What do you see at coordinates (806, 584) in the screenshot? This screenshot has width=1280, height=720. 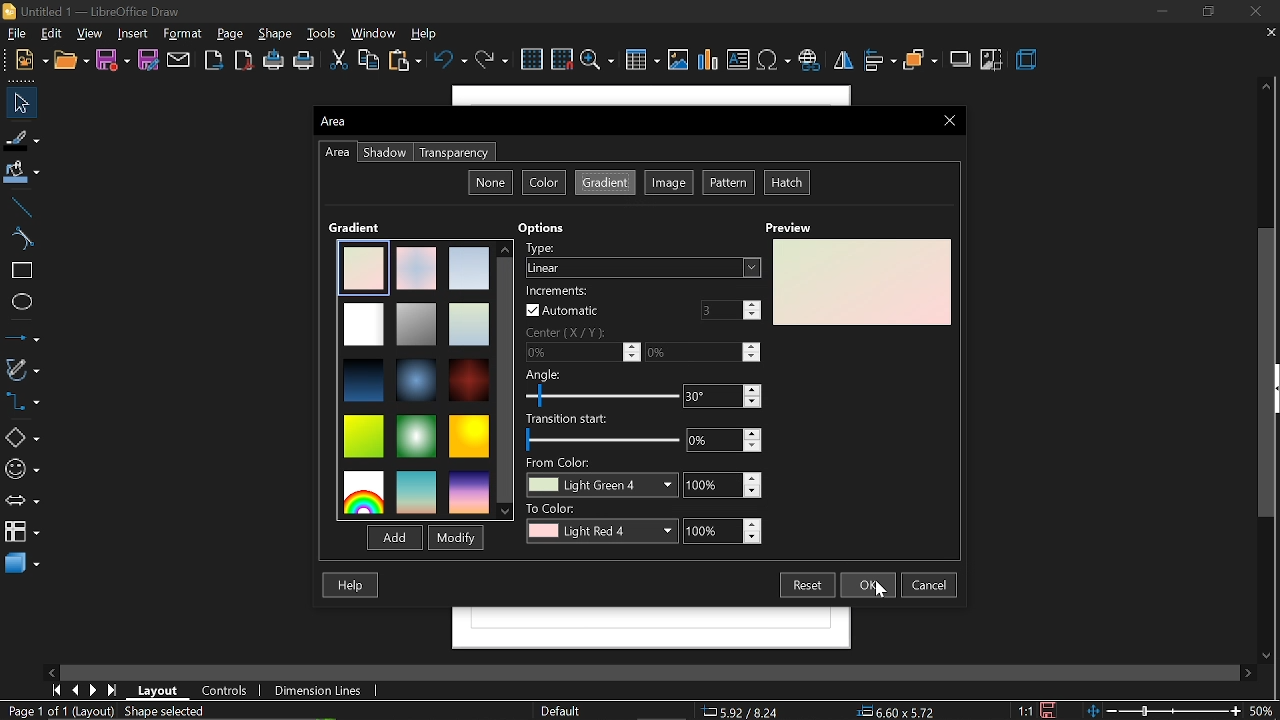 I see `reset` at bounding box center [806, 584].